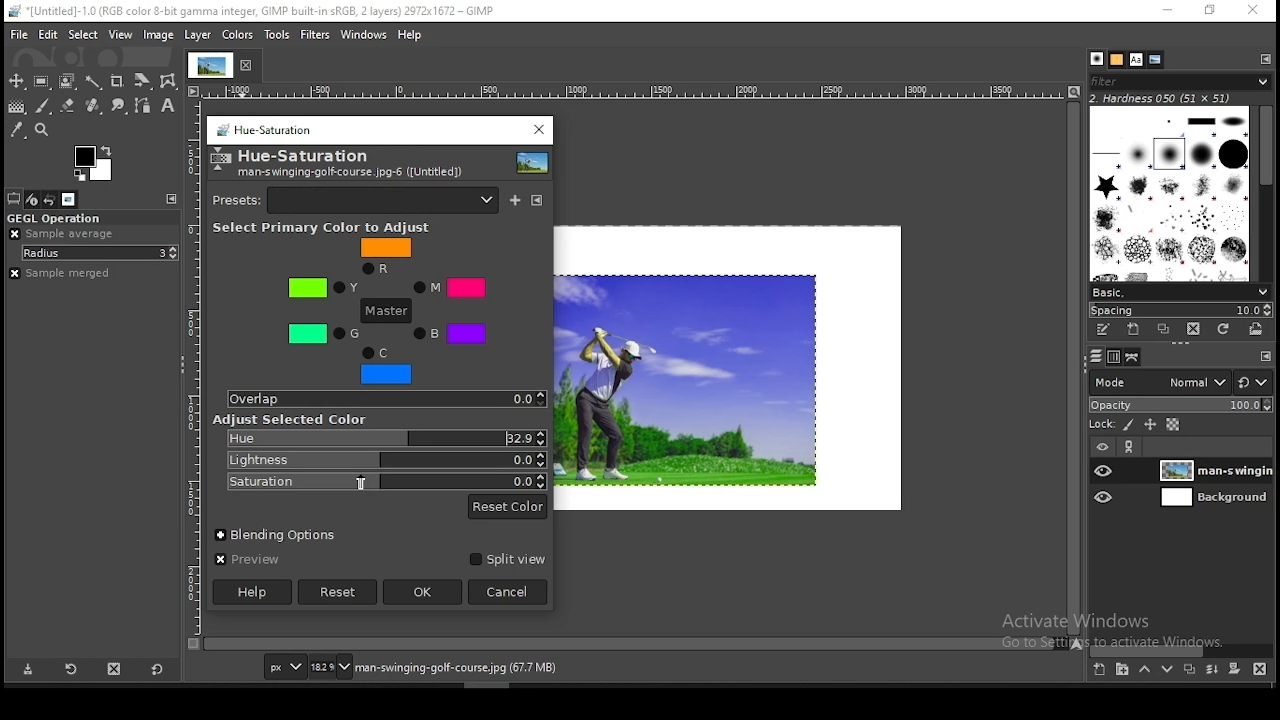 The width and height of the screenshot is (1280, 720). Describe the element at coordinates (48, 34) in the screenshot. I see `edit` at that location.